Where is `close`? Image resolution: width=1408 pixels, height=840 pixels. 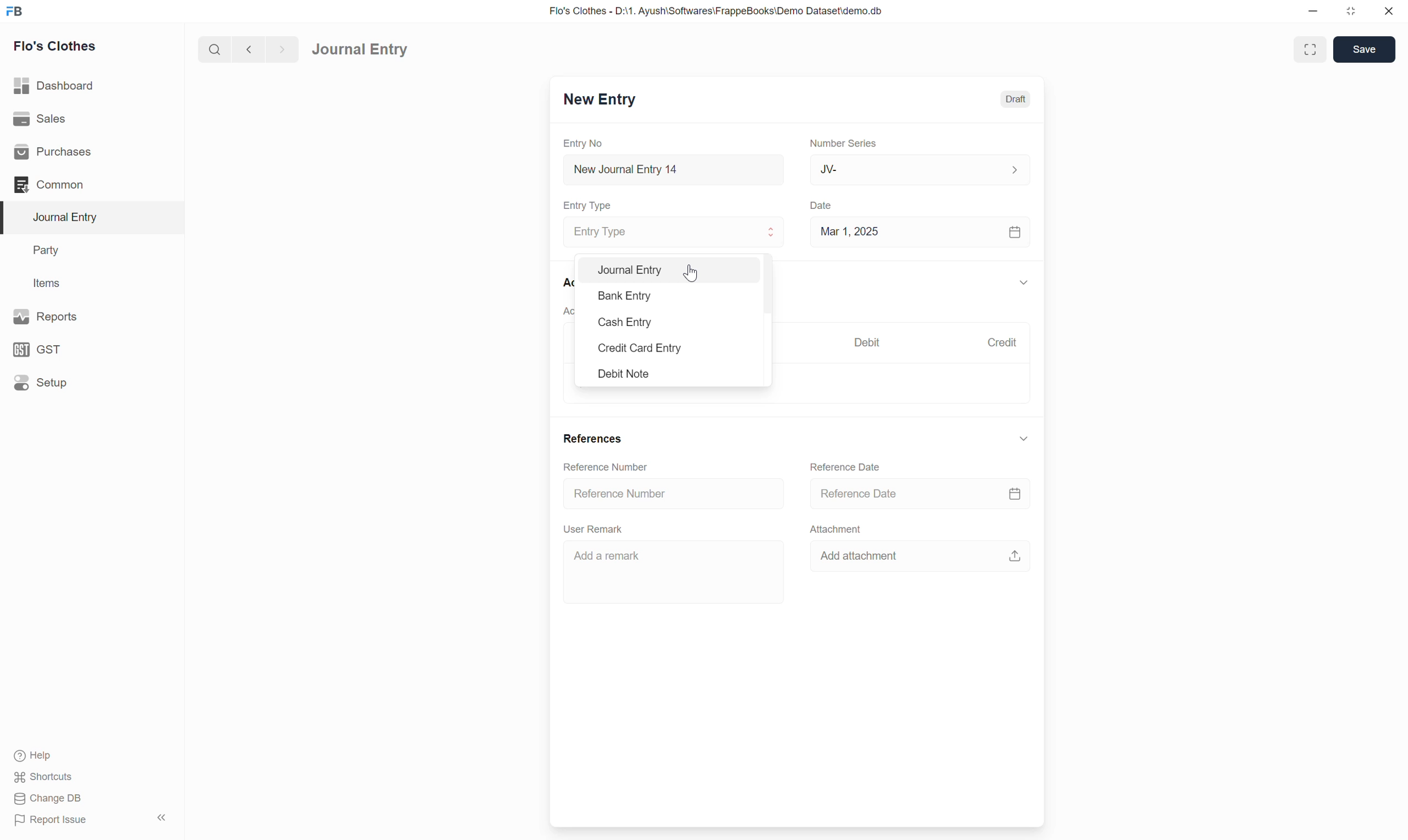 close is located at coordinates (1389, 11).